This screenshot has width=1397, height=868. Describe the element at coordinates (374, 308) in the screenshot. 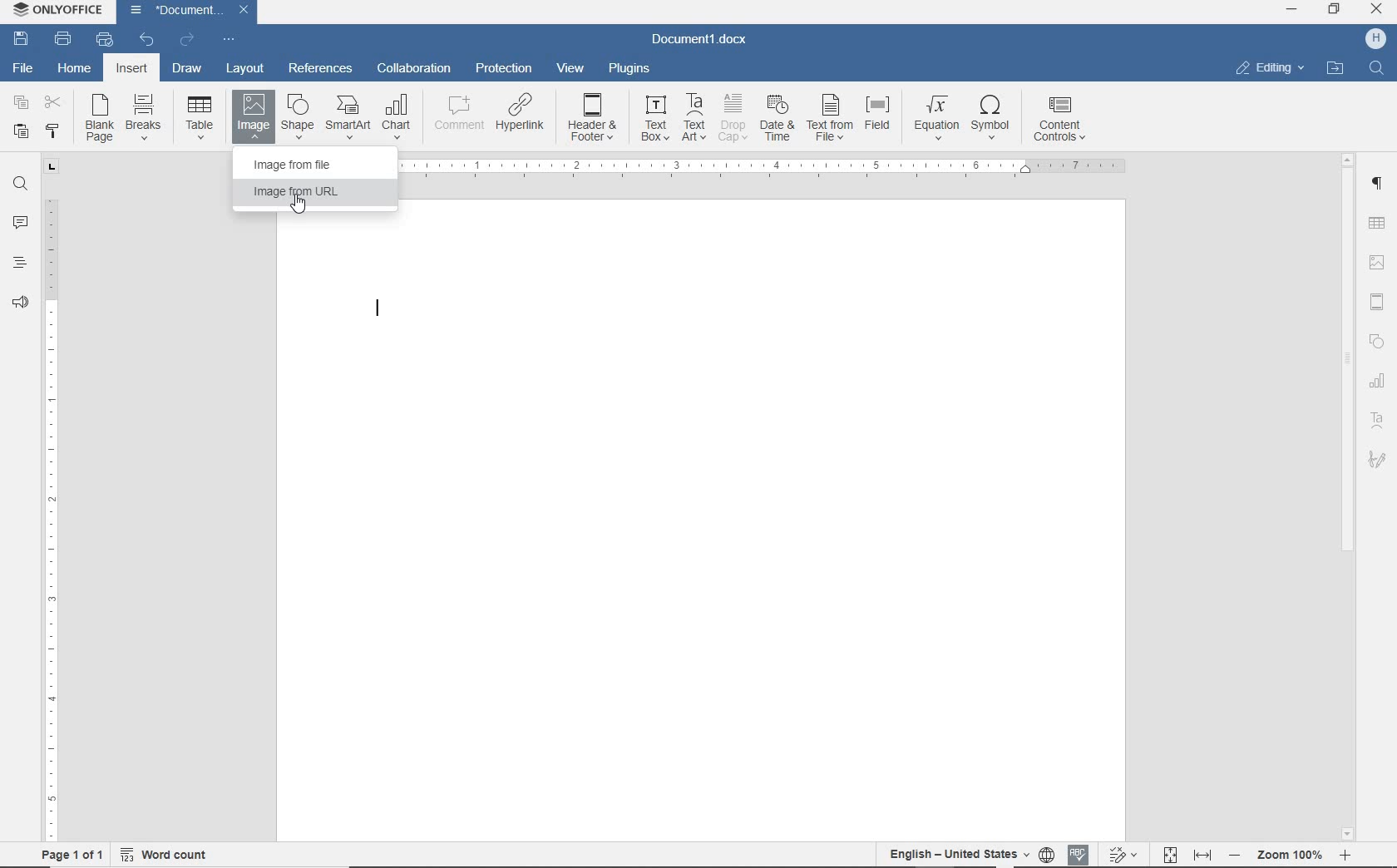

I see `text cursor` at that location.